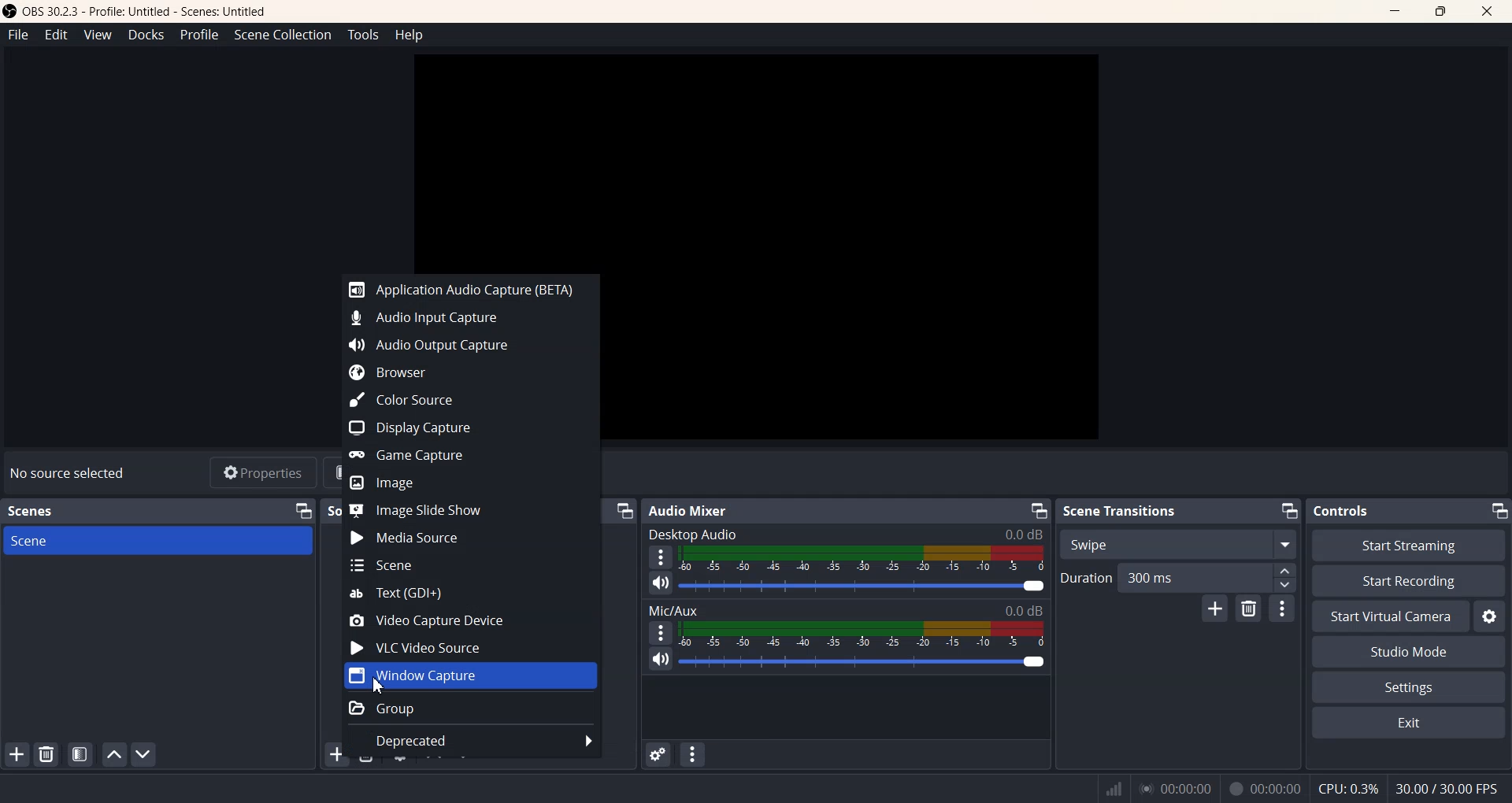  Describe the element at coordinates (1388, 616) in the screenshot. I see `Start Virtual Camera` at that location.